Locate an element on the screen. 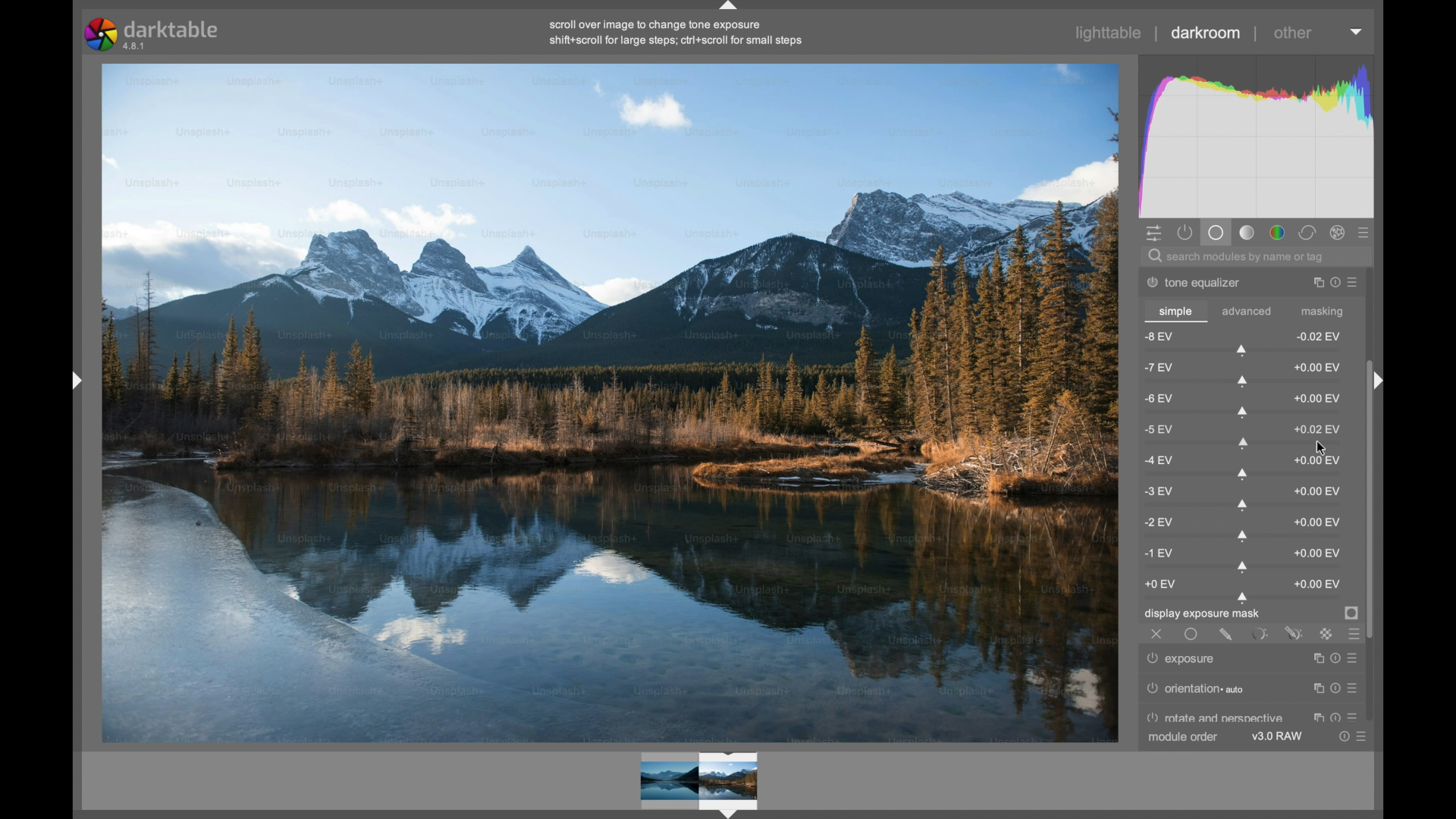 Image resolution: width=1456 pixels, height=819 pixels. 0.00 ev is located at coordinates (1318, 367).